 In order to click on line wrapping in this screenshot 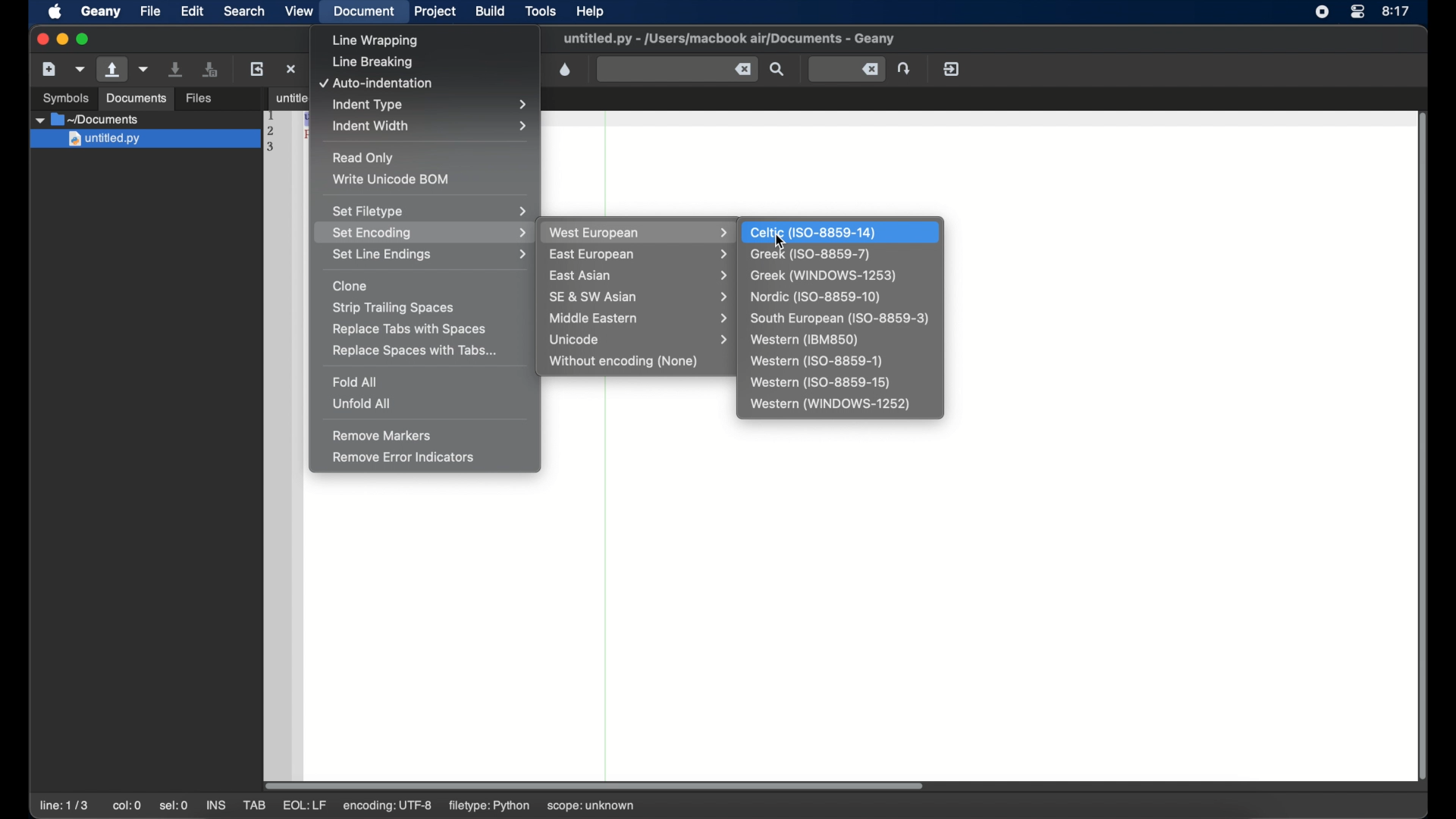, I will do `click(377, 41)`.